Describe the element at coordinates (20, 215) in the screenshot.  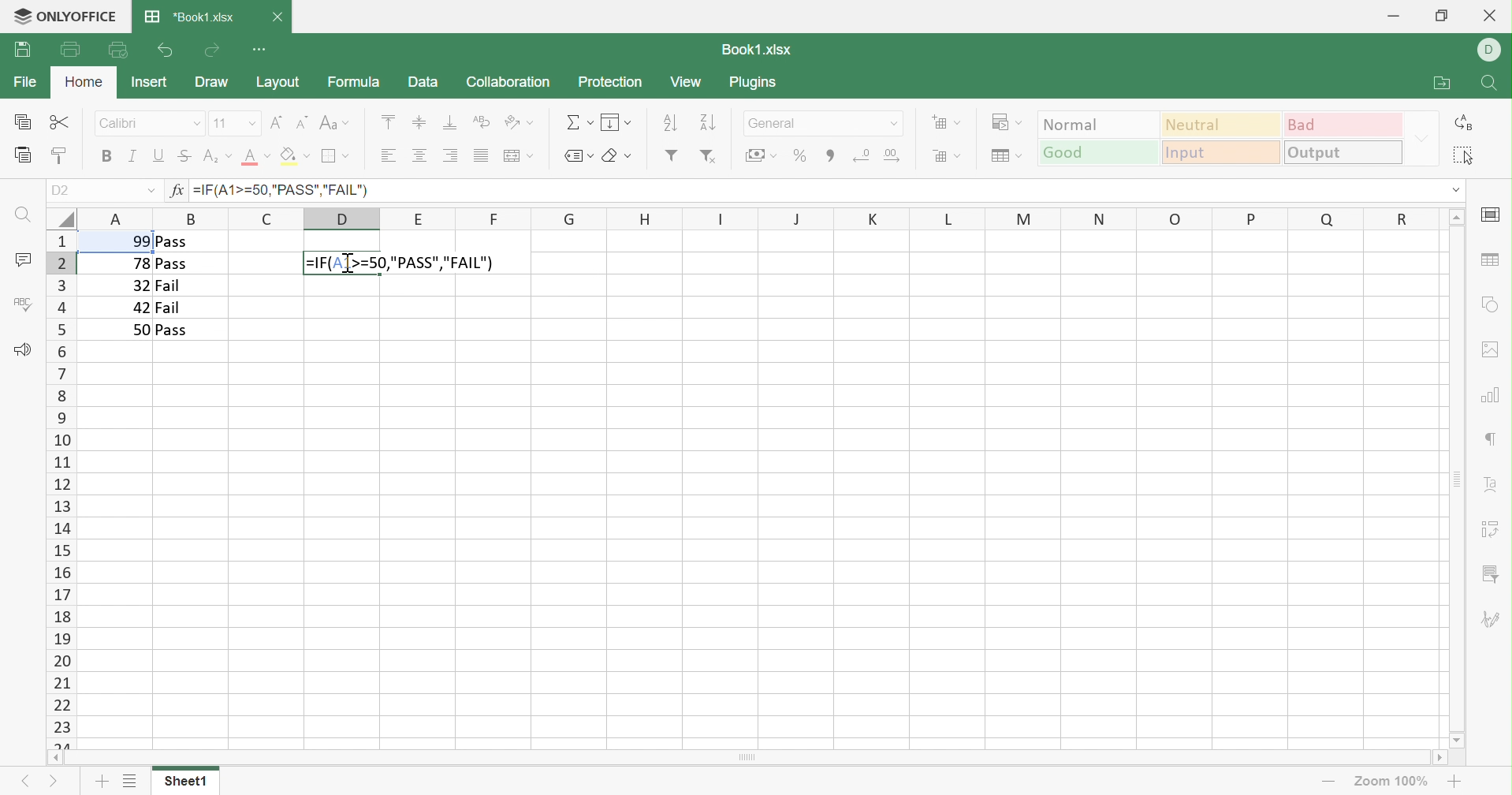
I see `Find` at that location.